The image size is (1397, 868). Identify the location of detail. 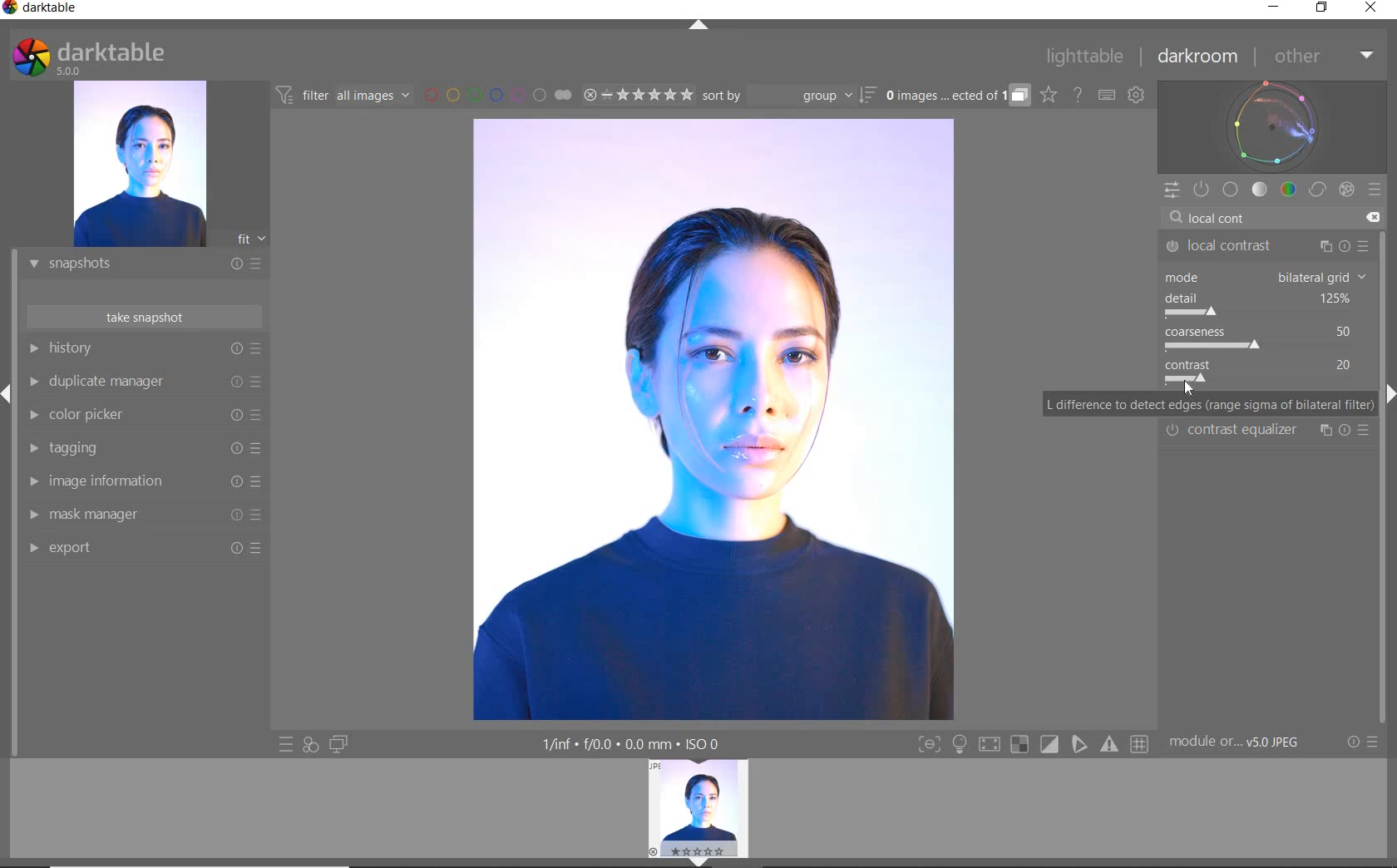
(1261, 306).